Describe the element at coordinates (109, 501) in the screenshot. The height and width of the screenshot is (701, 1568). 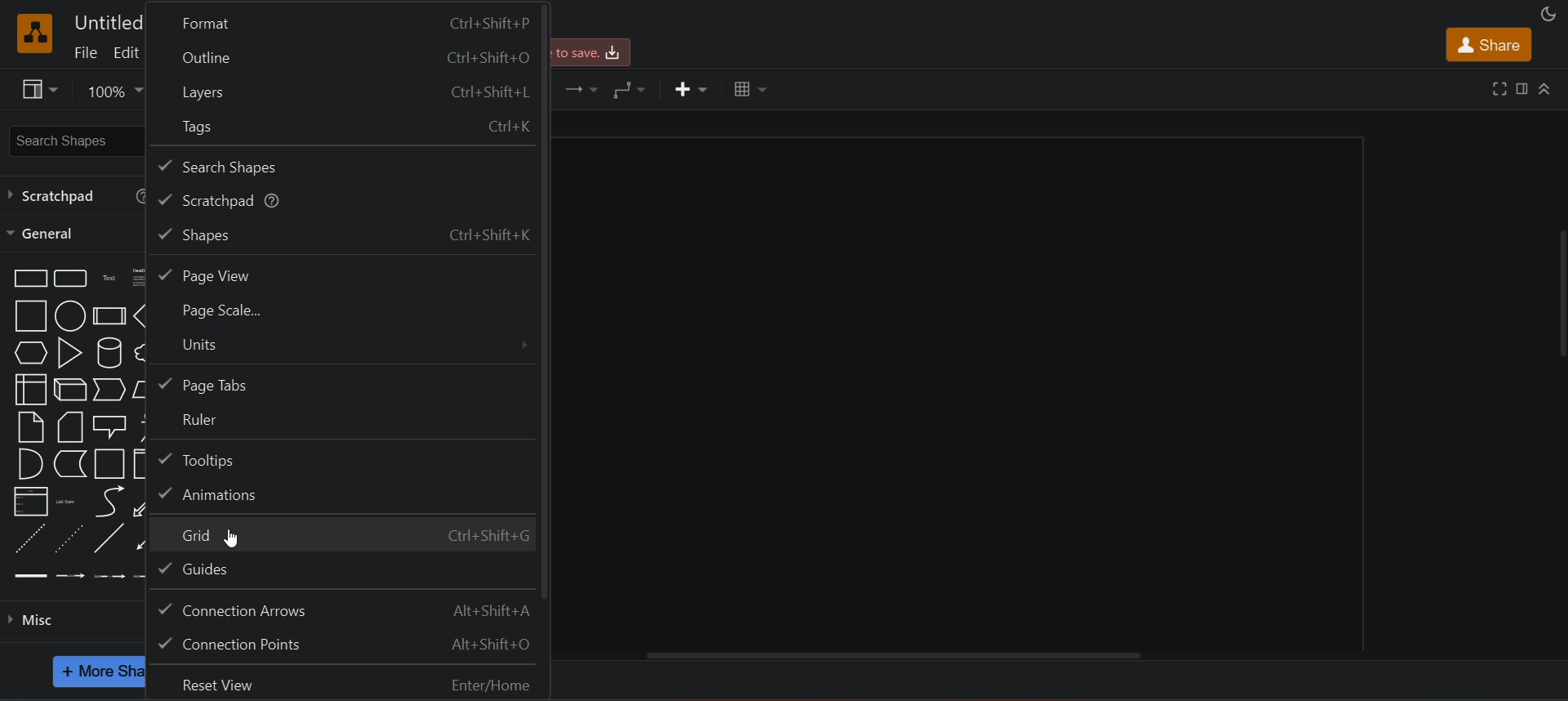
I see `curve` at that location.